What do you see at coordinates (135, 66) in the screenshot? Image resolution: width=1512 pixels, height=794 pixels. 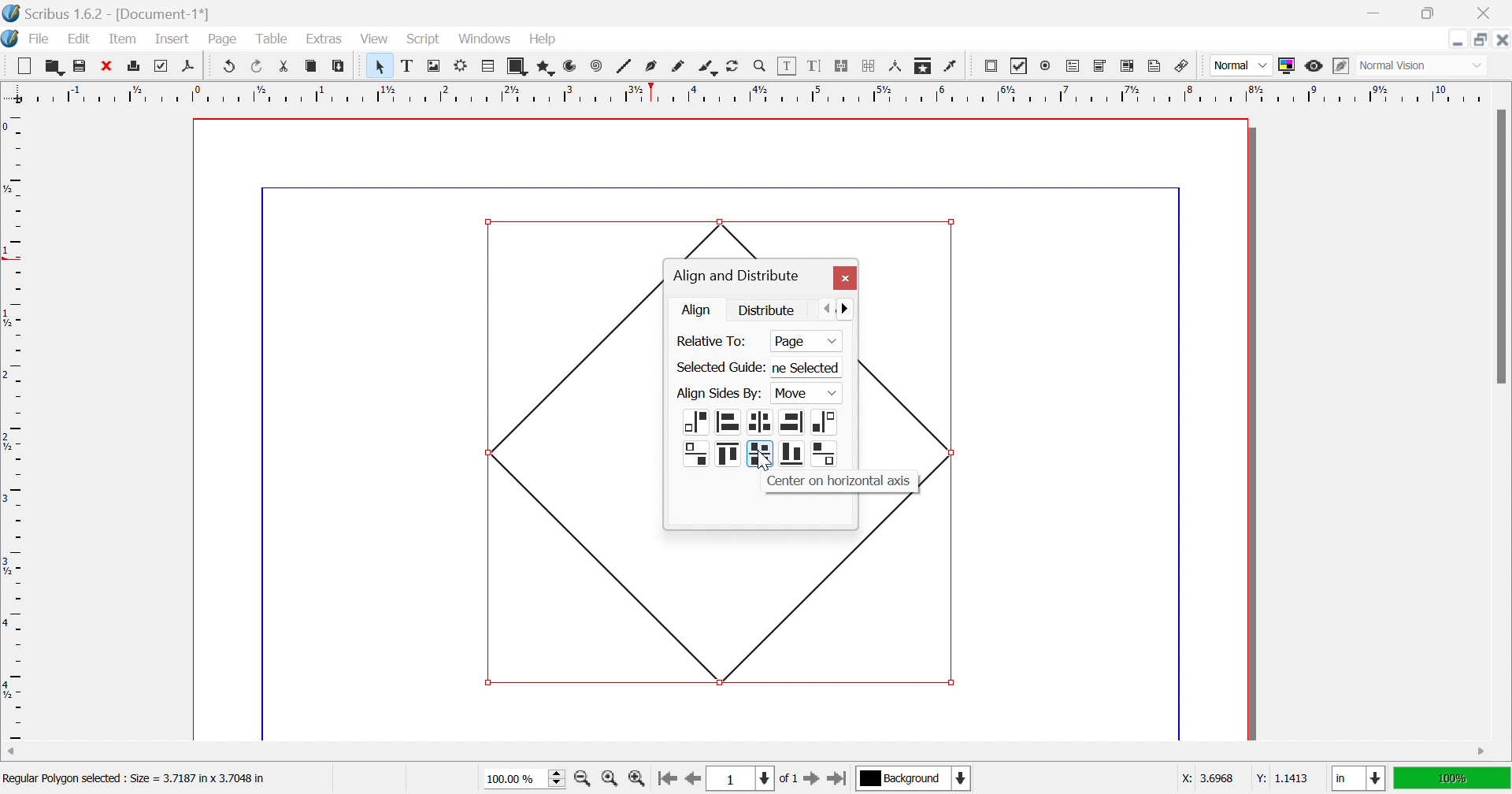 I see `Print` at bounding box center [135, 66].